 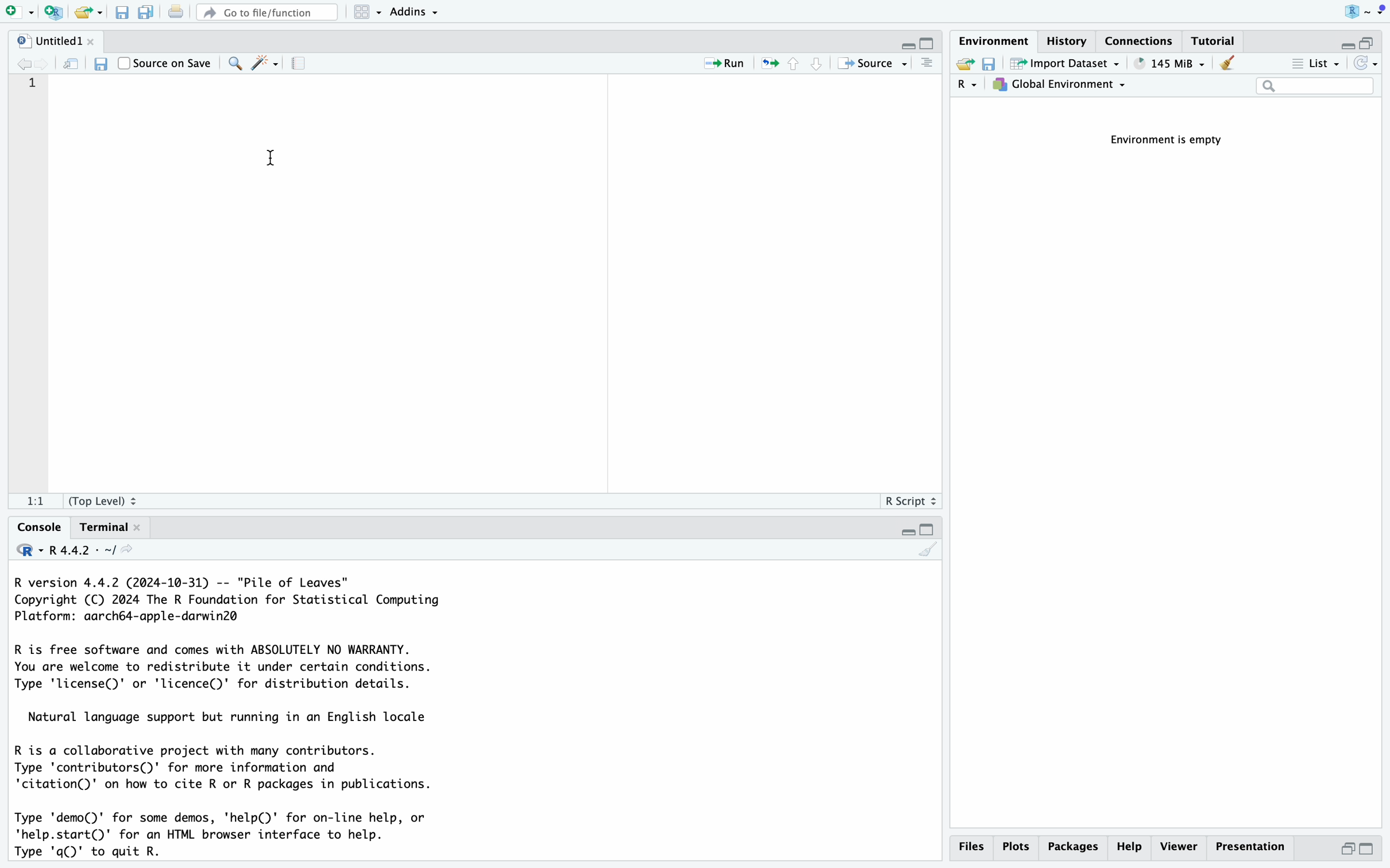 I want to click on search field, so click(x=1315, y=87).